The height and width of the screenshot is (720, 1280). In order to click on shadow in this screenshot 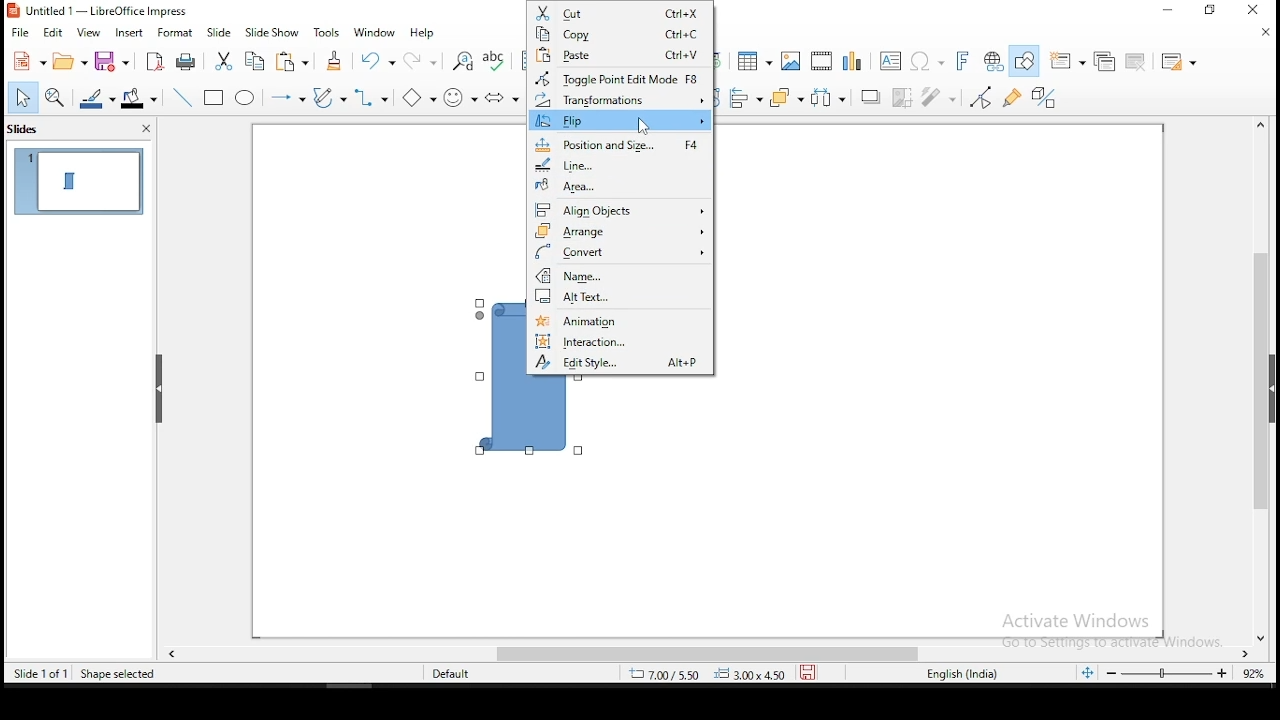, I will do `click(868, 97)`.